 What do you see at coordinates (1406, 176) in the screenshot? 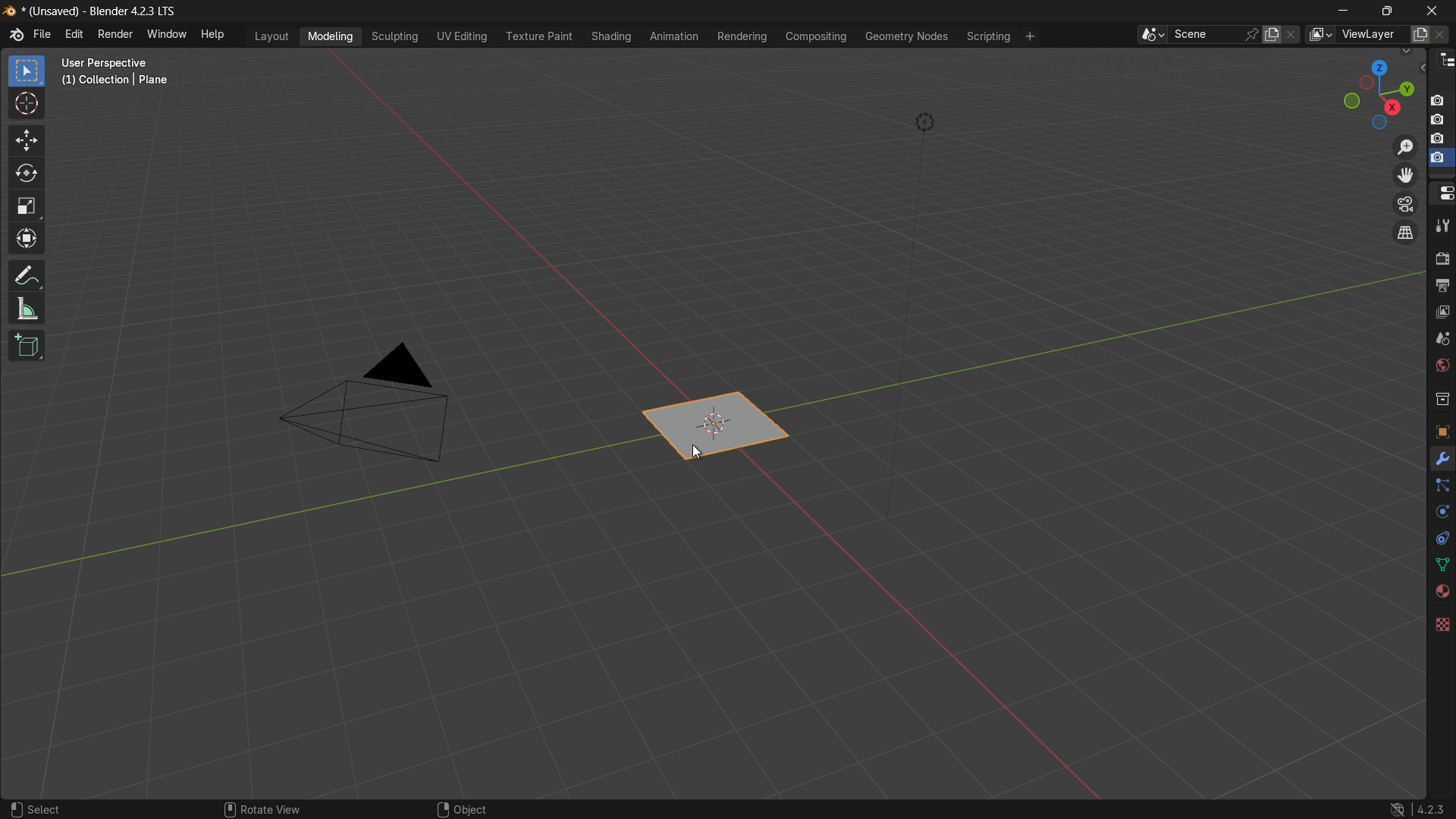
I see `move view` at bounding box center [1406, 176].